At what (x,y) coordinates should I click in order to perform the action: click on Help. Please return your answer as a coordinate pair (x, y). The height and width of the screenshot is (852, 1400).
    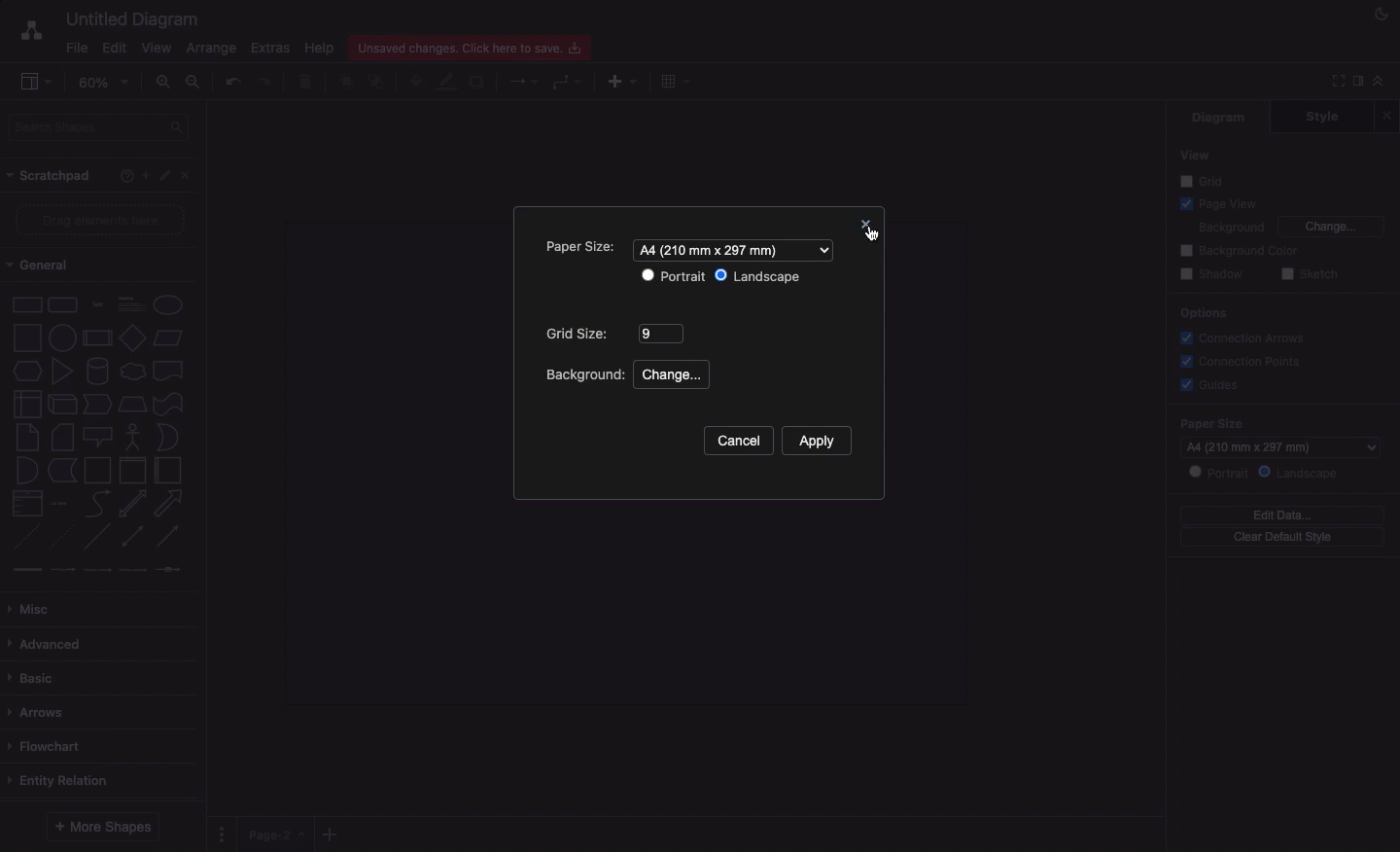
    Looking at the image, I should click on (322, 48).